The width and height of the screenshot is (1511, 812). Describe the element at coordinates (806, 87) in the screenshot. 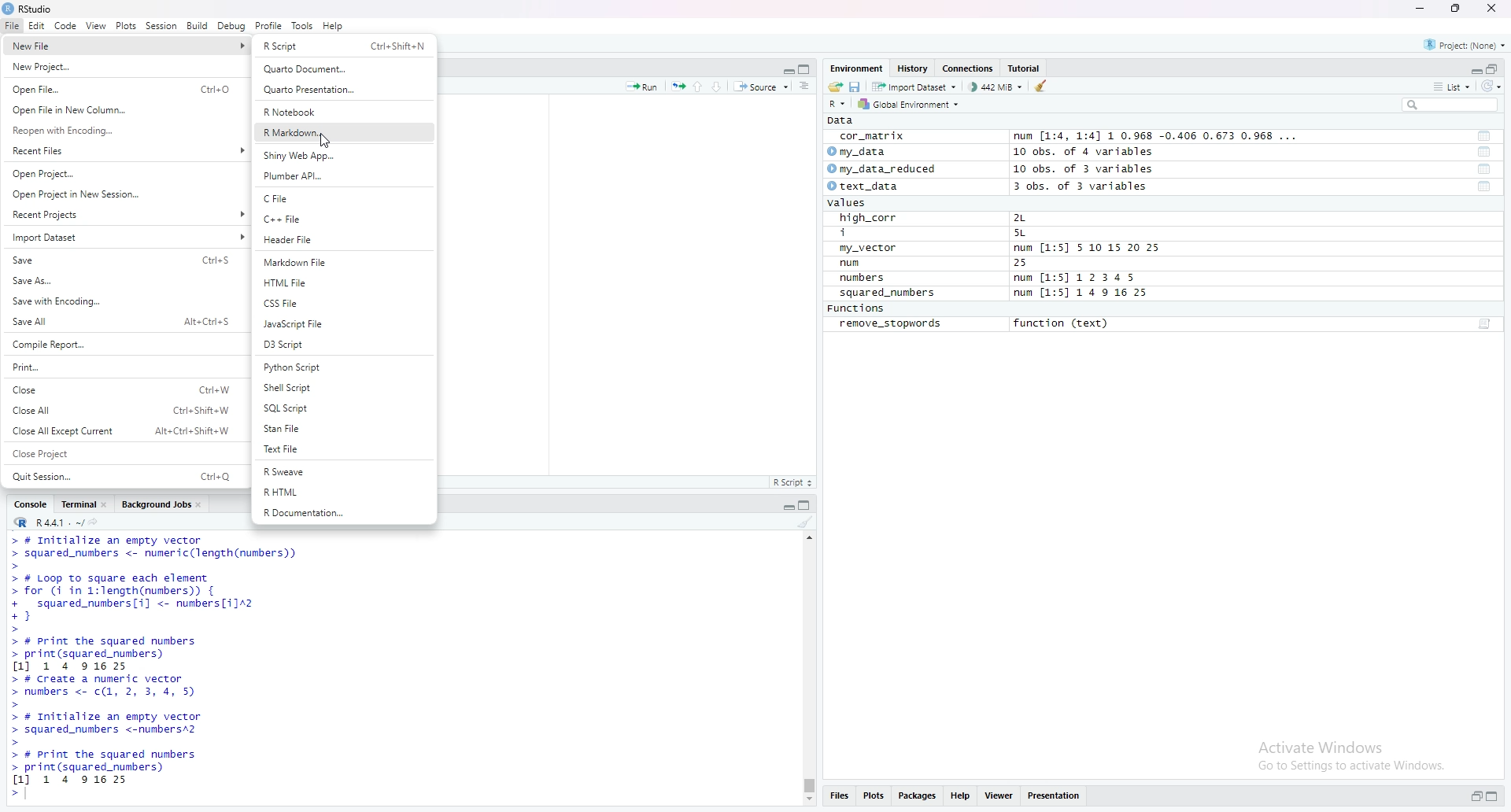

I see `Document outline` at that location.